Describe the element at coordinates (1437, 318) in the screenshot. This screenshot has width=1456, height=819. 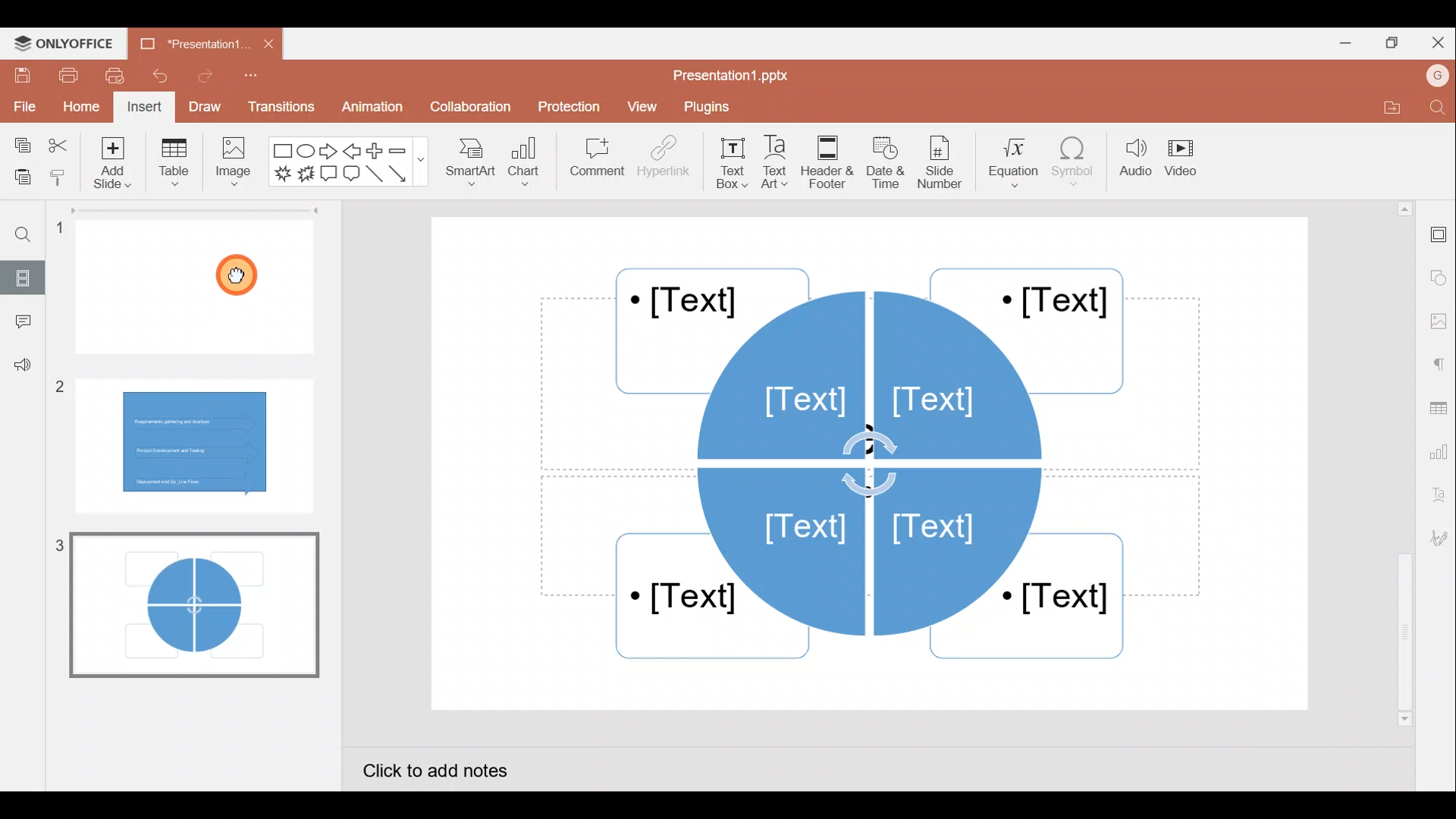
I see `Image settings` at that location.